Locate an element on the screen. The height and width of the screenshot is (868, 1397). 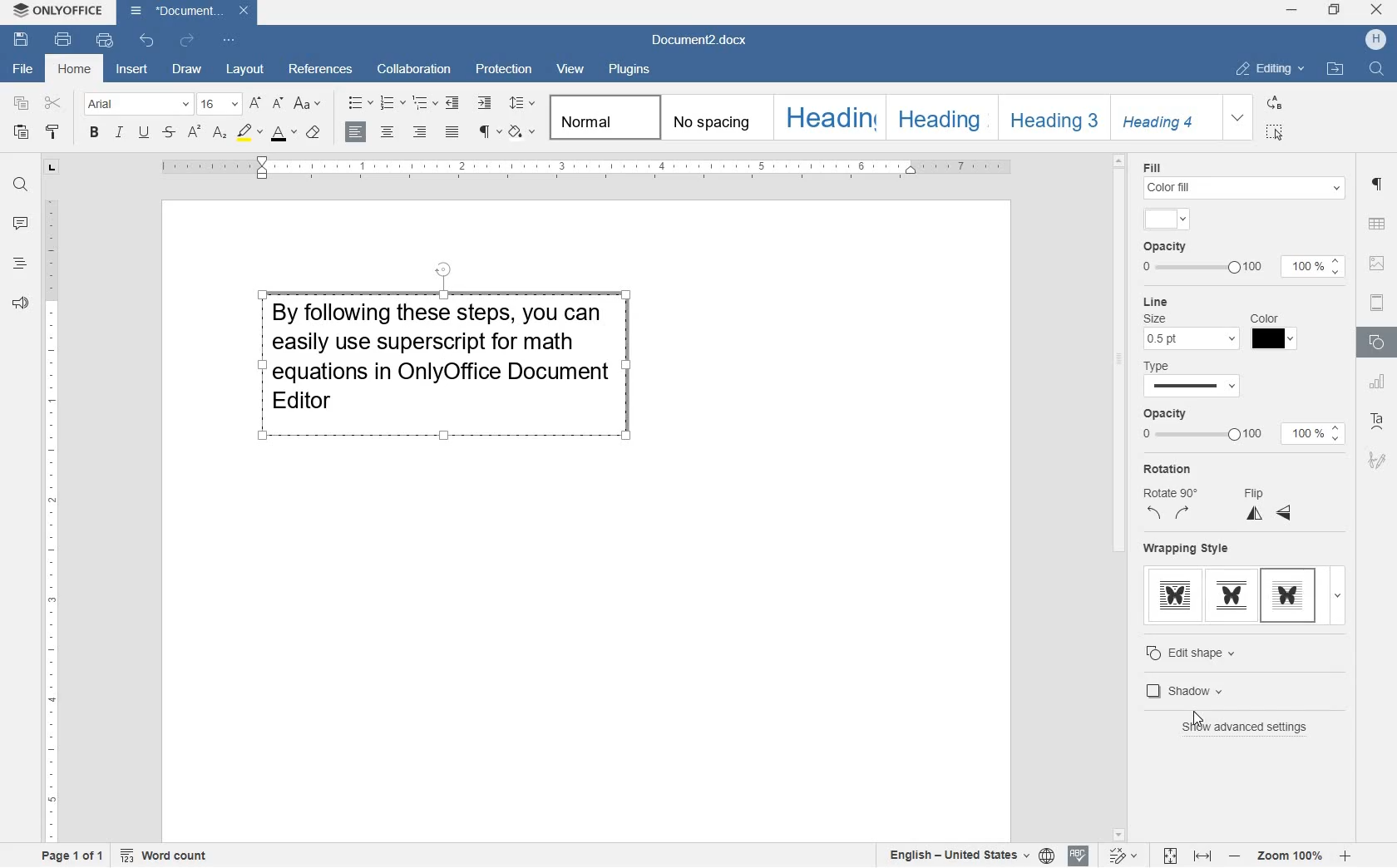
headlines is located at coordinates (20, 267).